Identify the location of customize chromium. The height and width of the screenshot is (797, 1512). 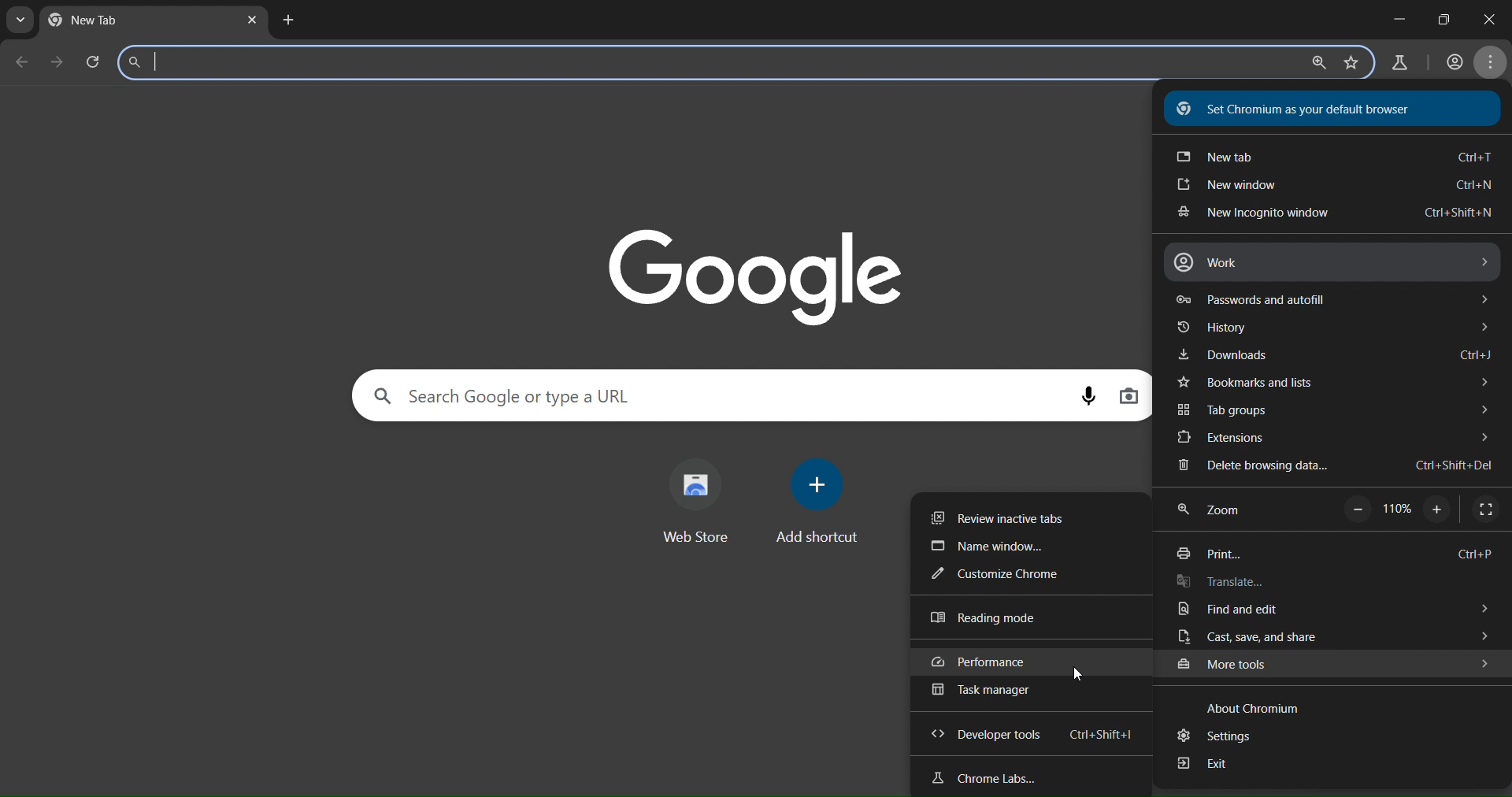
(1017, 573).